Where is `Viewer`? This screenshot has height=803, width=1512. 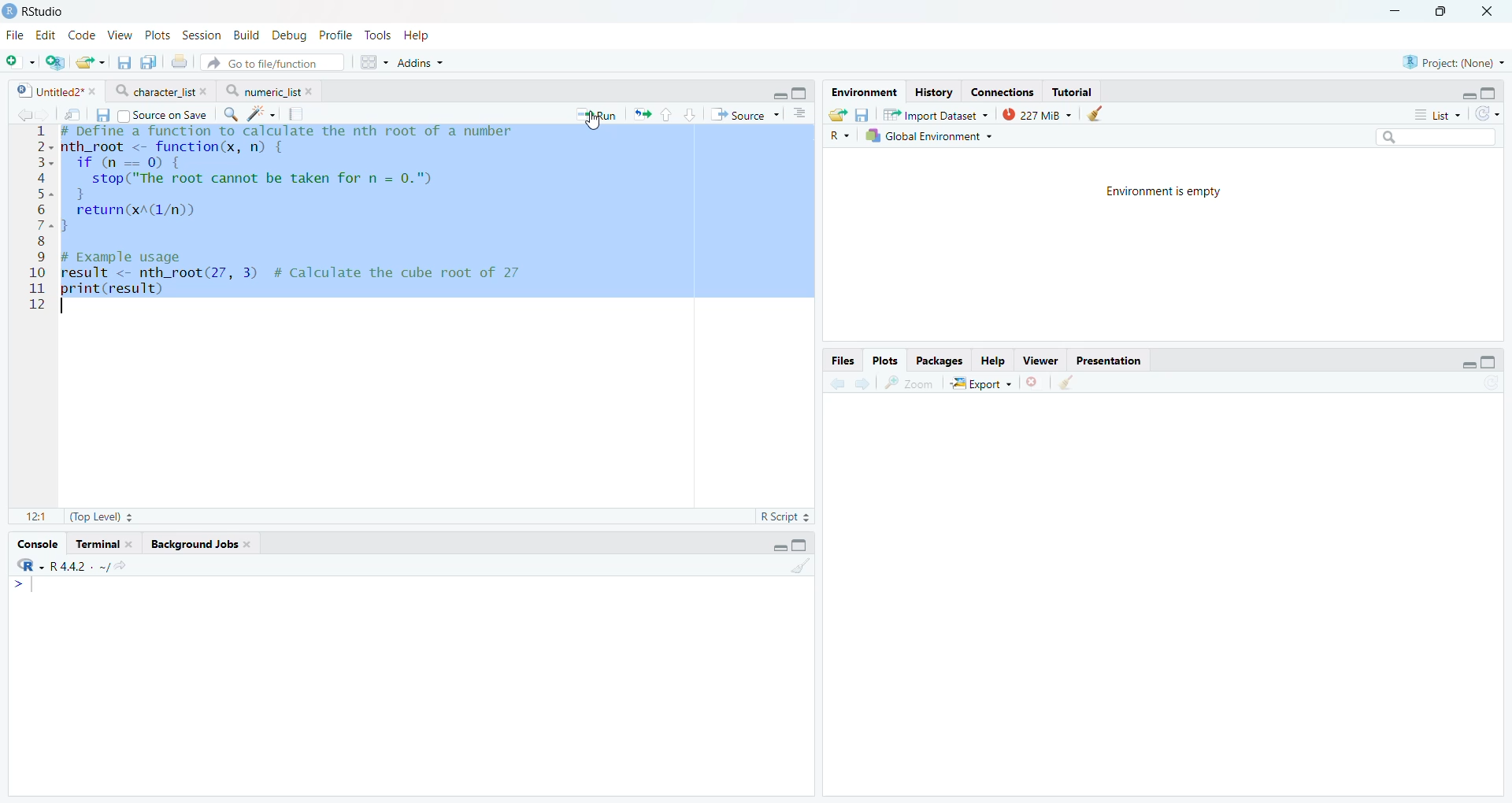 Viewer is located at coordinates (1040, 360).